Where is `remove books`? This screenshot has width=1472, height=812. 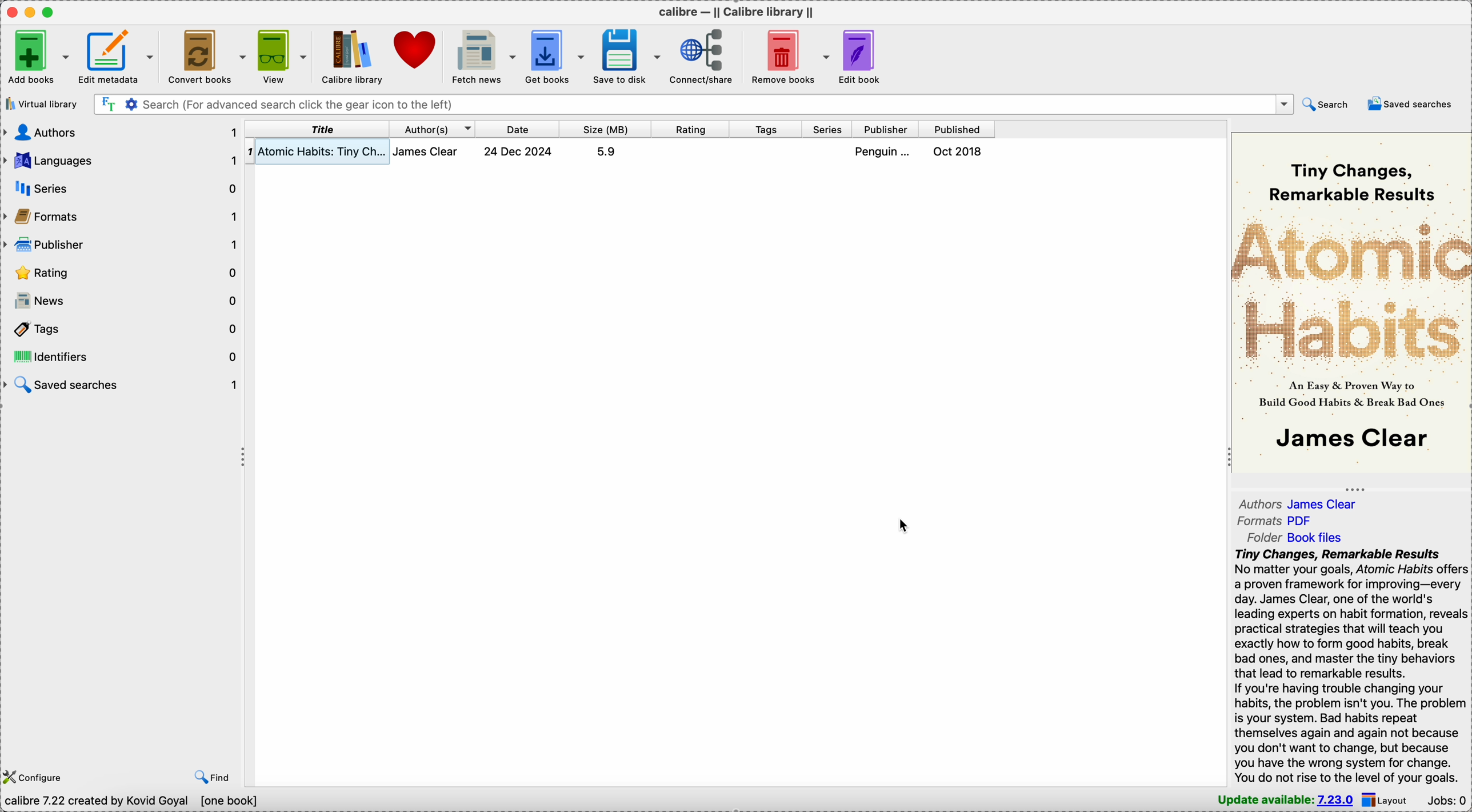 remove books is located at coordinates (791, 55).